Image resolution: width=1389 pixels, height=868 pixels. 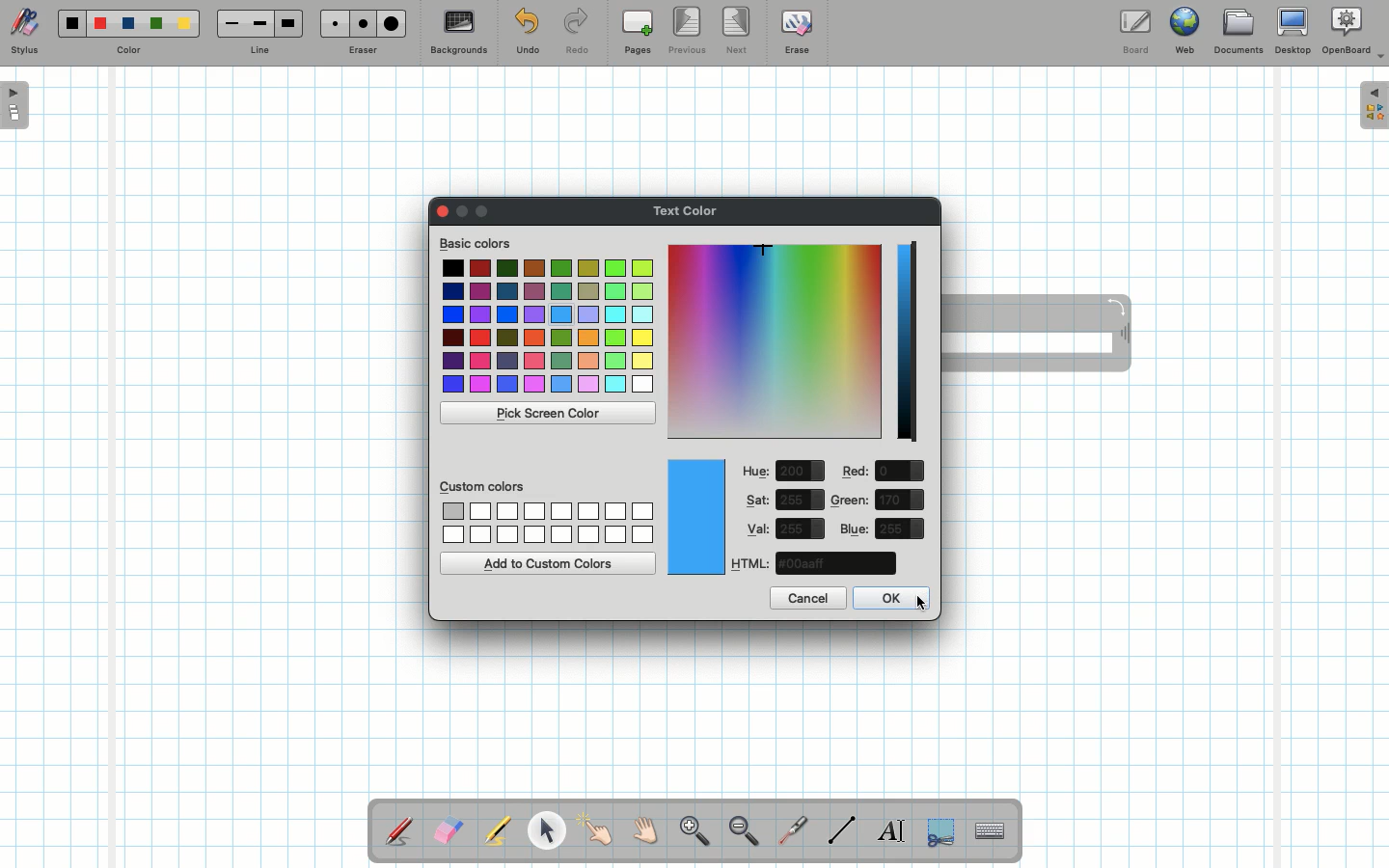 I want to click on Color, so click(x=126, y=51).